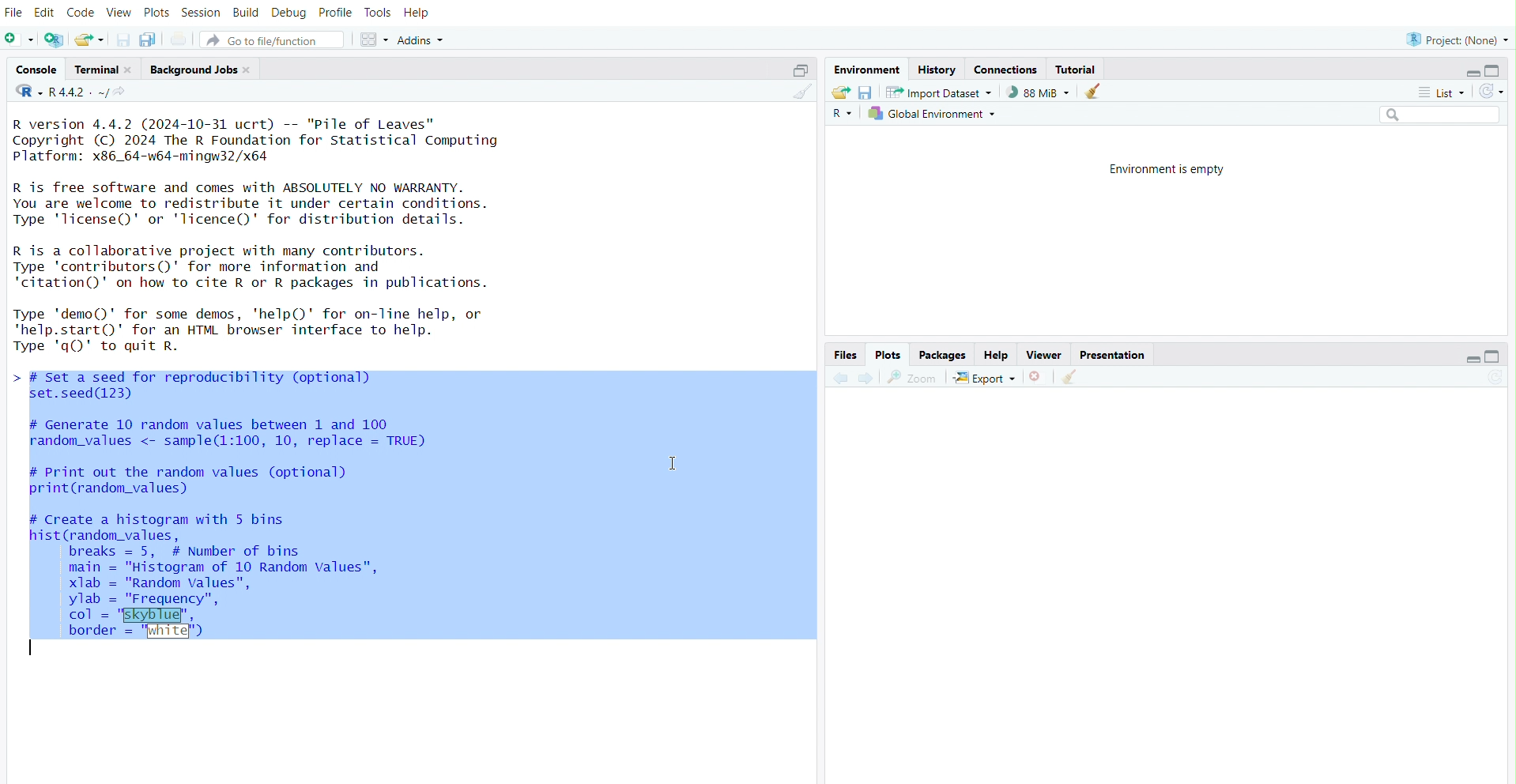  I want to click on export, so click(985, 378).